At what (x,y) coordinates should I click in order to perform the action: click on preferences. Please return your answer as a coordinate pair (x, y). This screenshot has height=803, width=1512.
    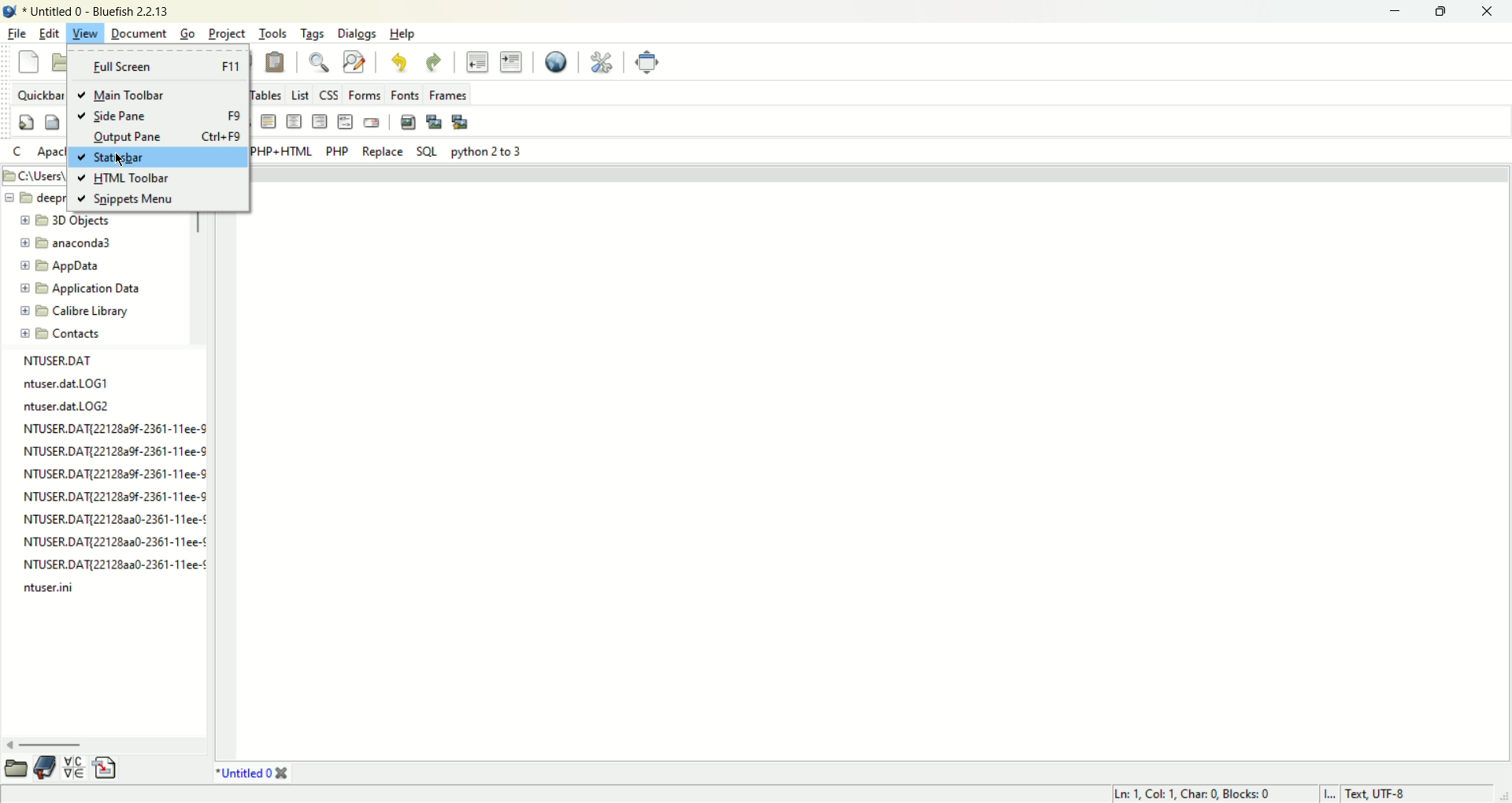
    Looking at the image, I should click on (601, 63).